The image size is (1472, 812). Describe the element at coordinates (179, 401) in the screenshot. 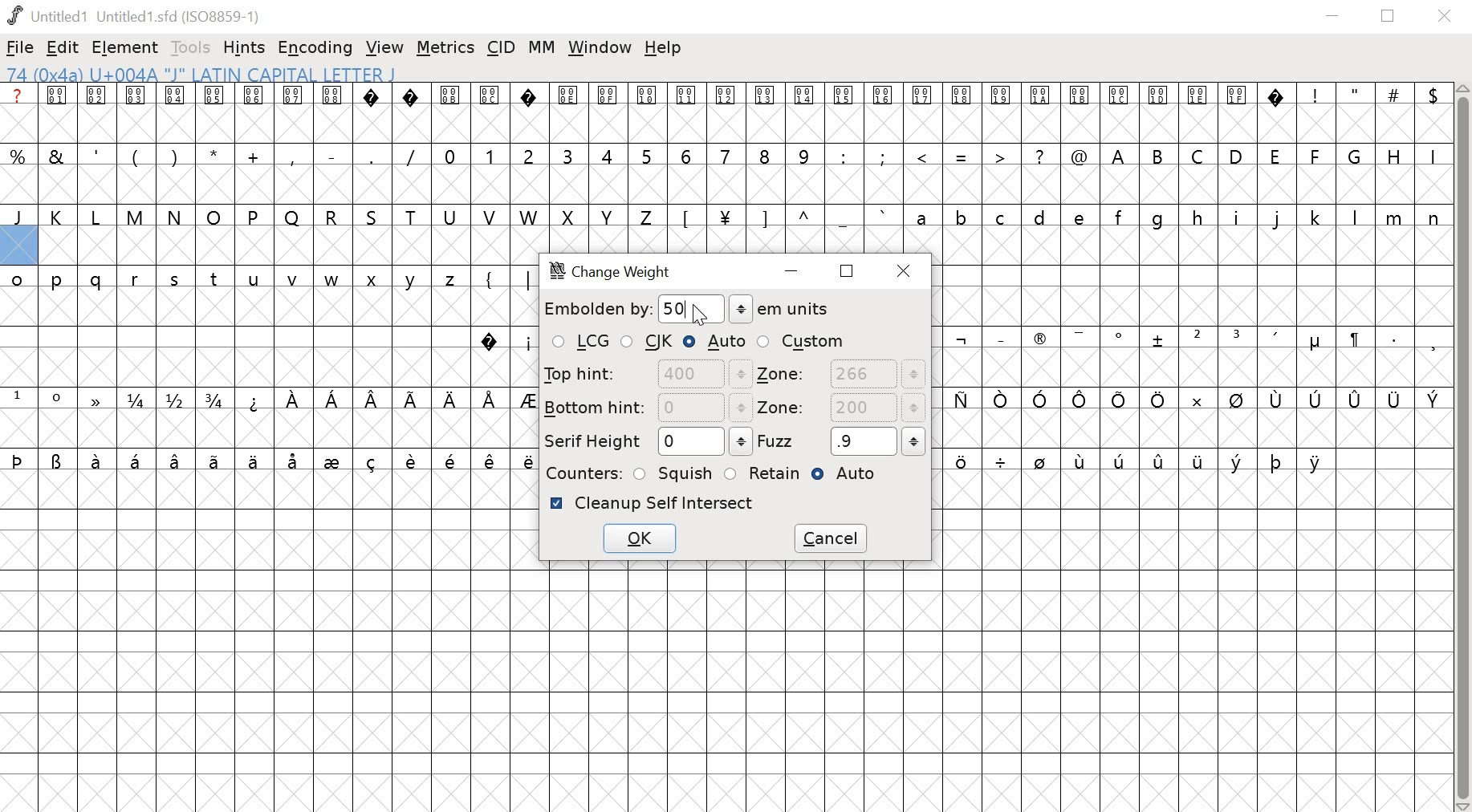

I see `fractions` at that location.